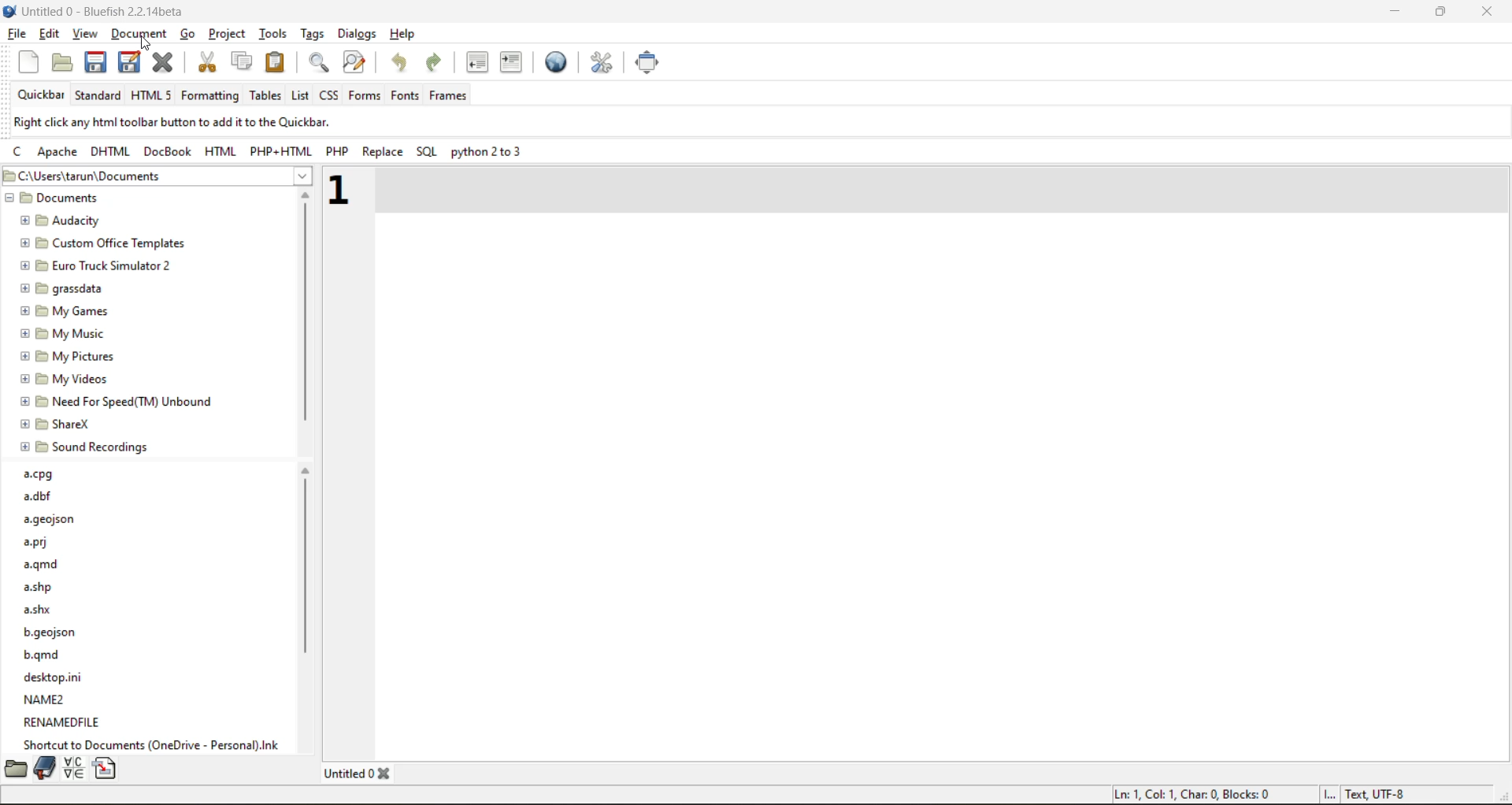  I want to click on file, so click(16, 33).